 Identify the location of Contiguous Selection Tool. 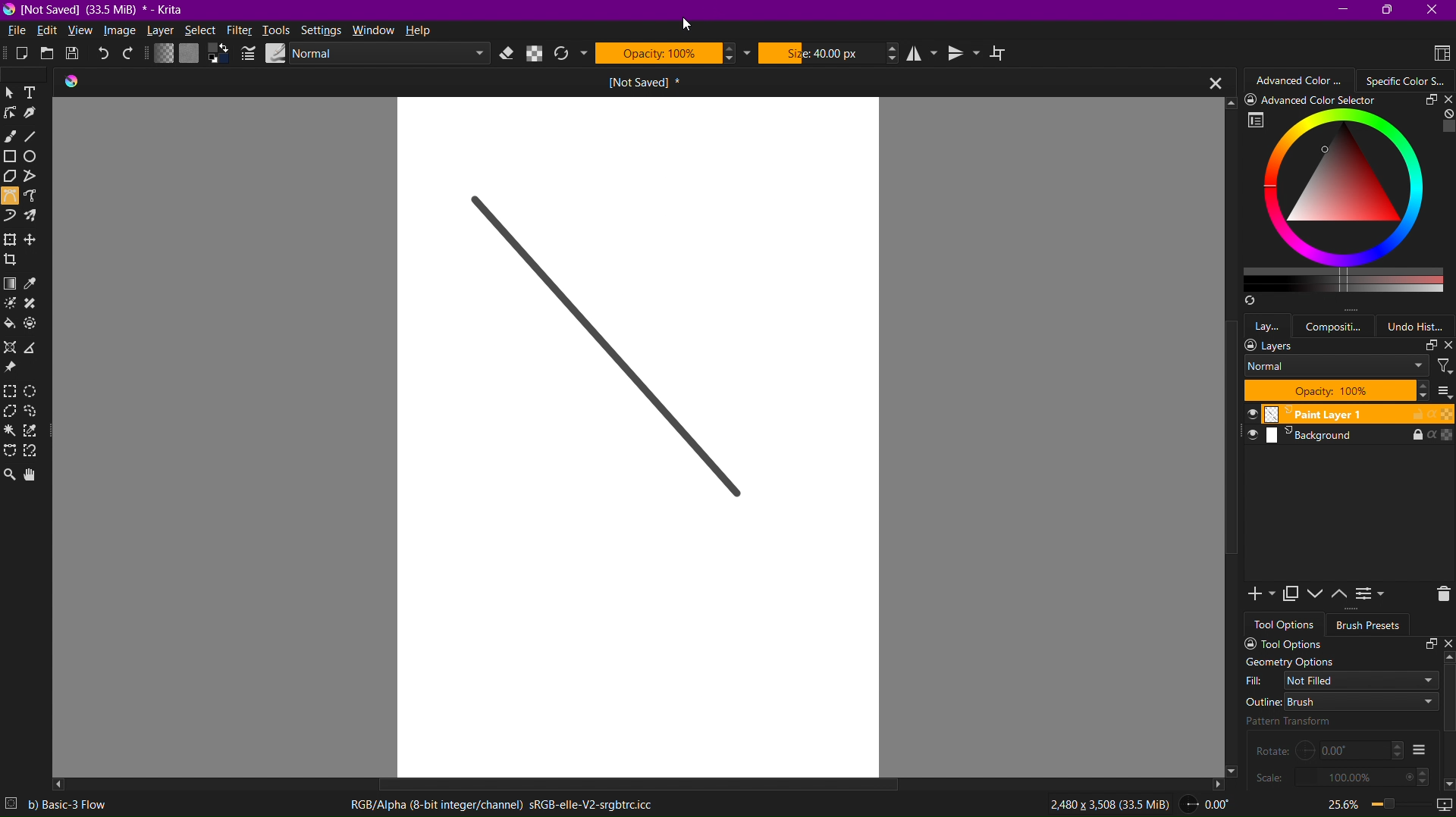
(11, 434).